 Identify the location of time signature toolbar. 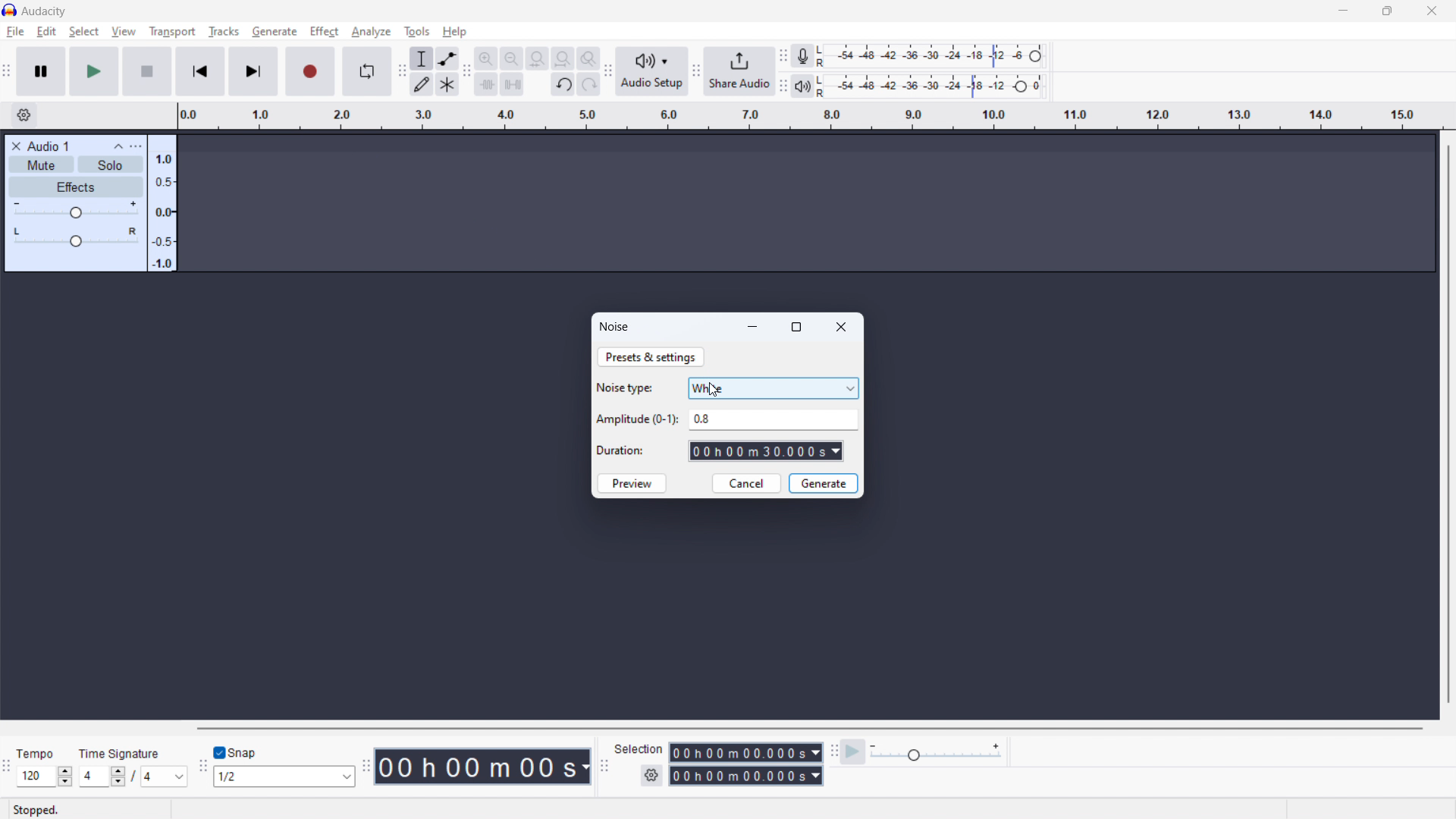
(8, 768).